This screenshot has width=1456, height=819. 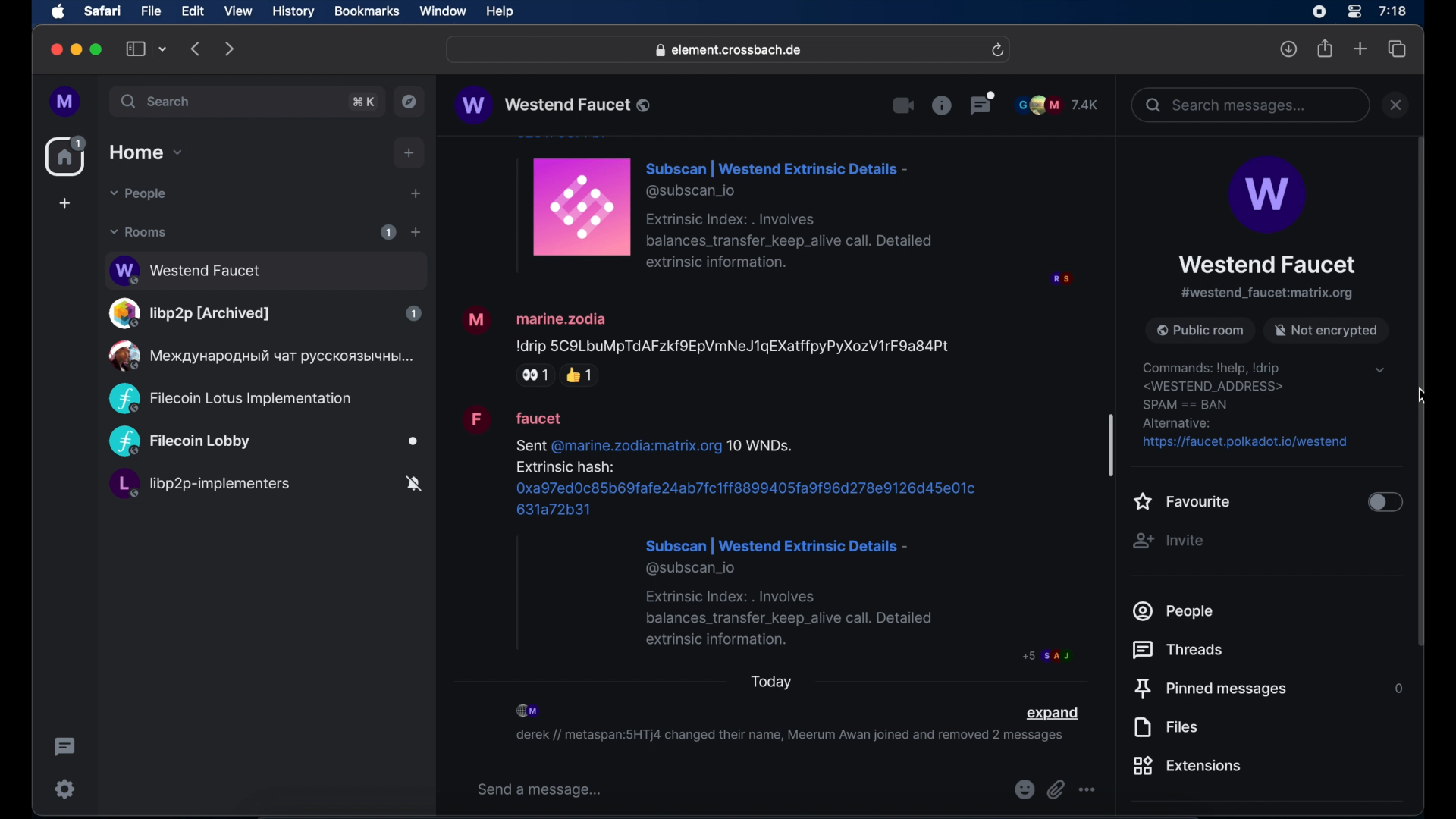 I want to click on help, so click(x=500, y=12).